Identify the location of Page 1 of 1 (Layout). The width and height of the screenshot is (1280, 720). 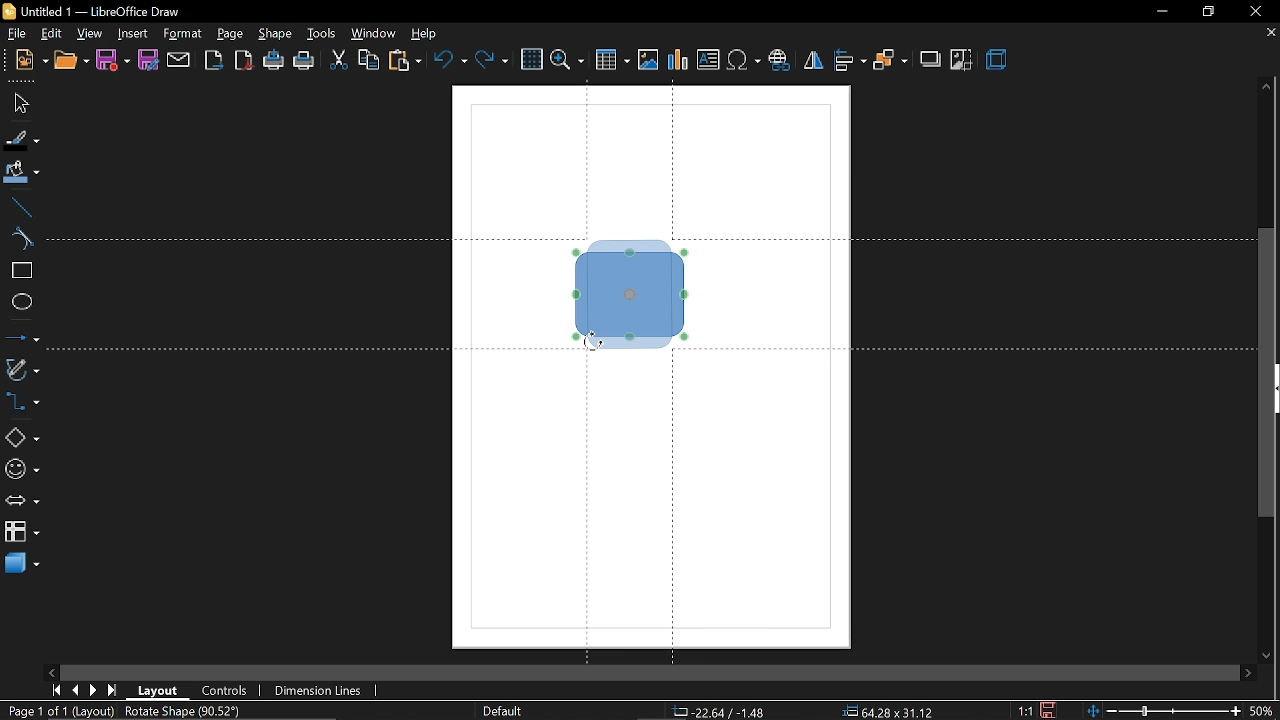
(66, 712).